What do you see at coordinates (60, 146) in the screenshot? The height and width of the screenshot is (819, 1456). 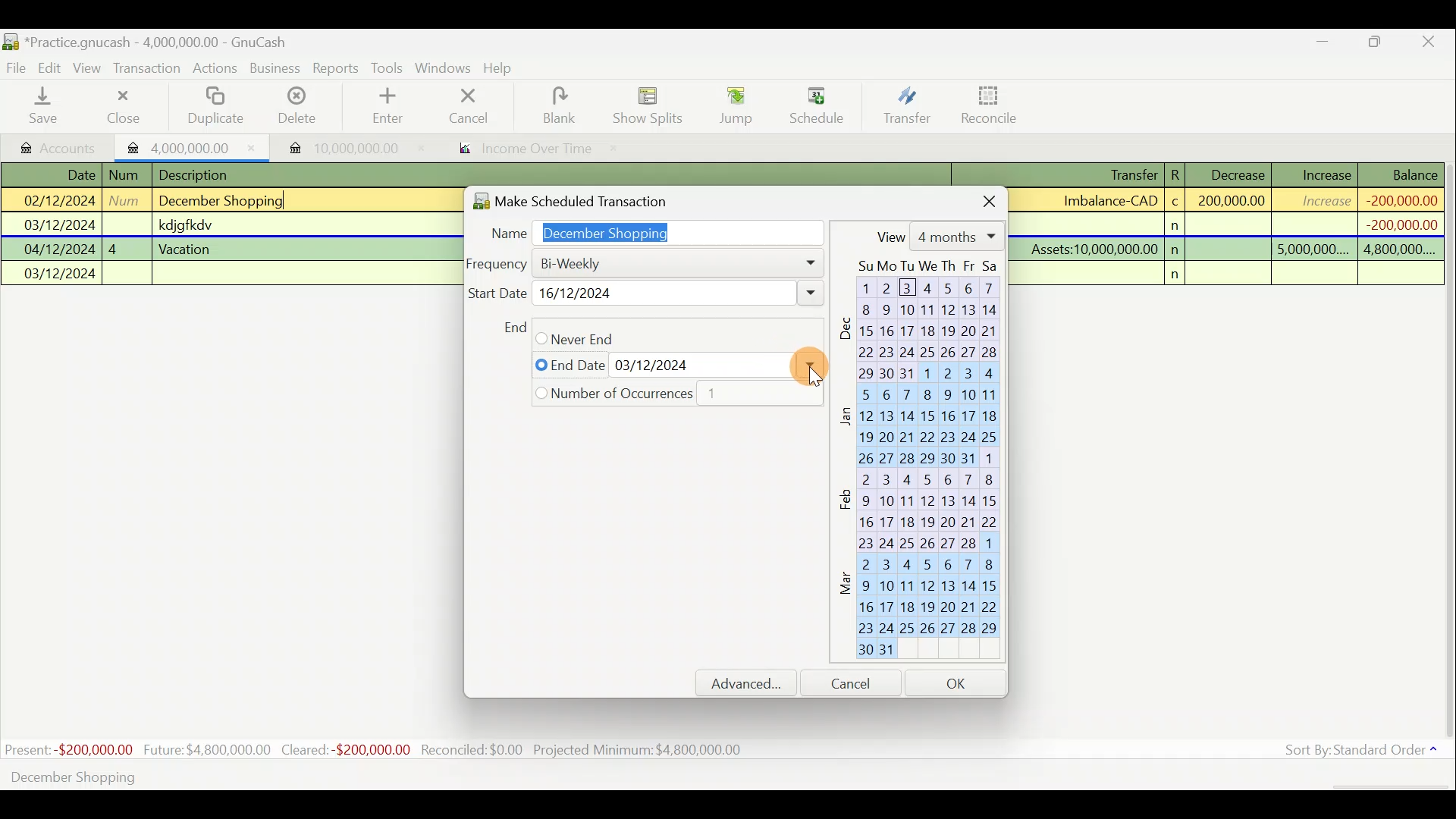 I see `Accounts` at bounding box center [60, 146].